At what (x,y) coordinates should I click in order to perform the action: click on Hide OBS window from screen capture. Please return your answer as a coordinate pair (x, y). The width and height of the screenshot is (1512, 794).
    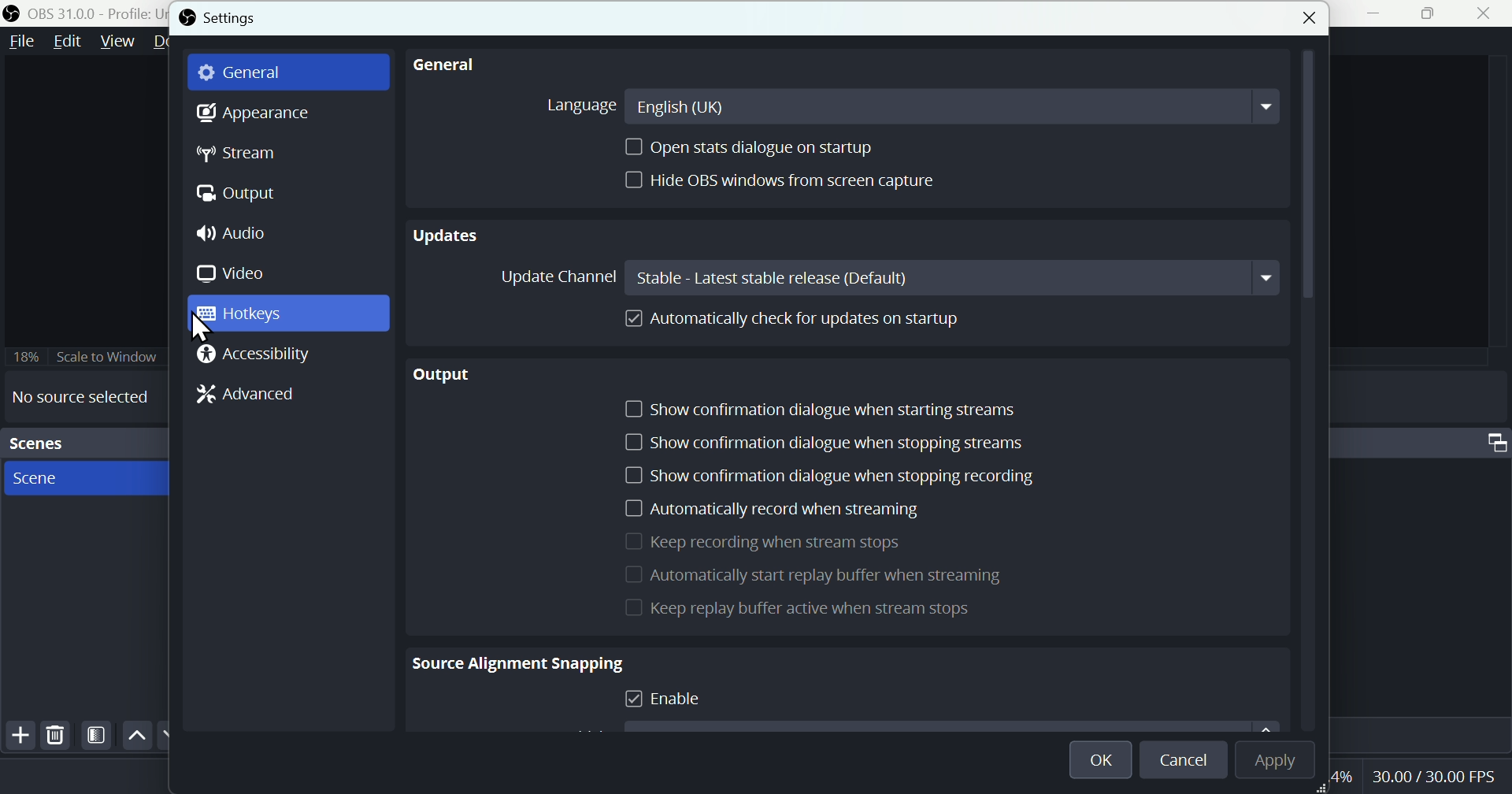
    Looking at the image, I should click on (804, 180).